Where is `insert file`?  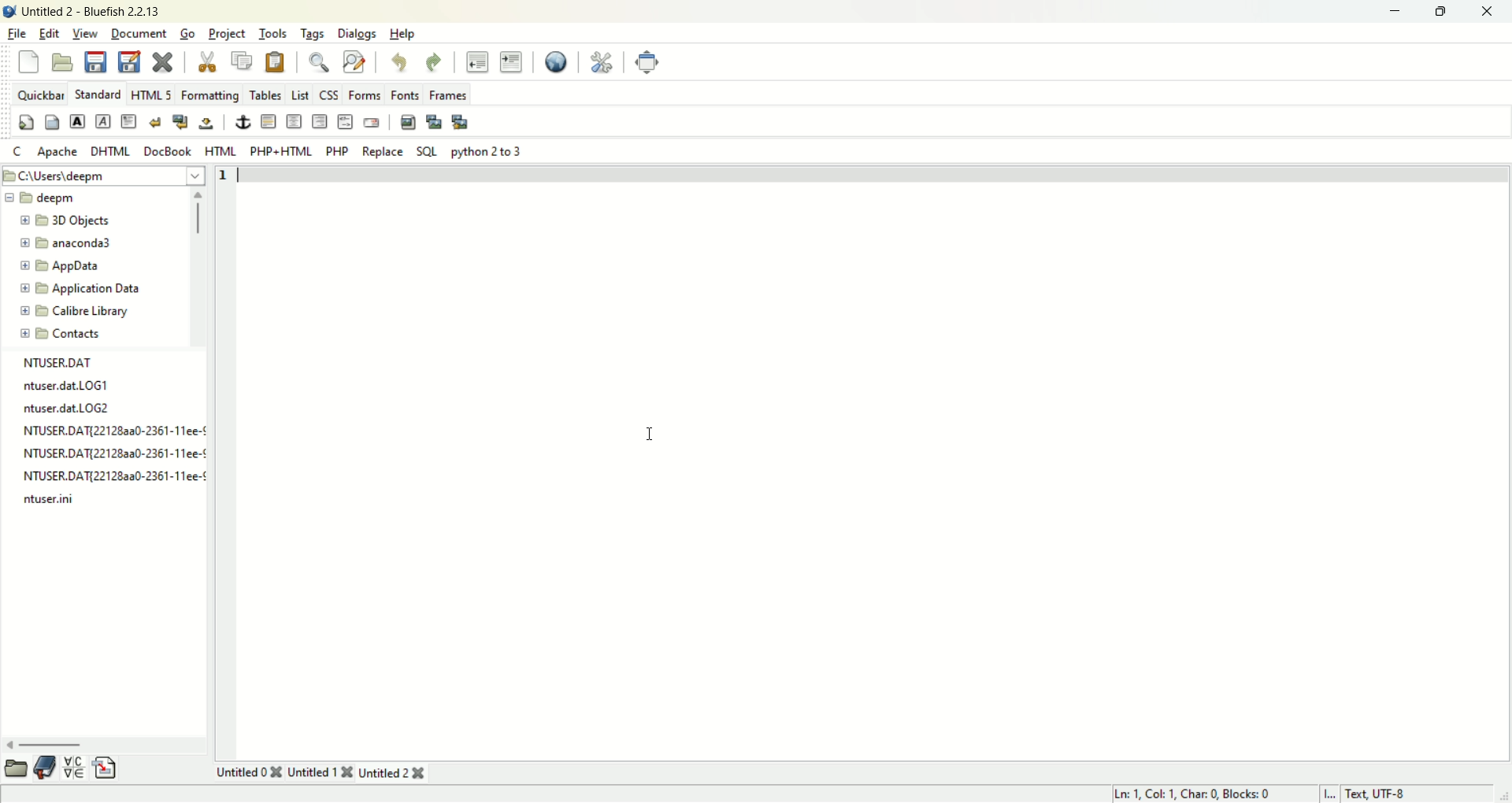
insert file is located at coordinates (106, 768).